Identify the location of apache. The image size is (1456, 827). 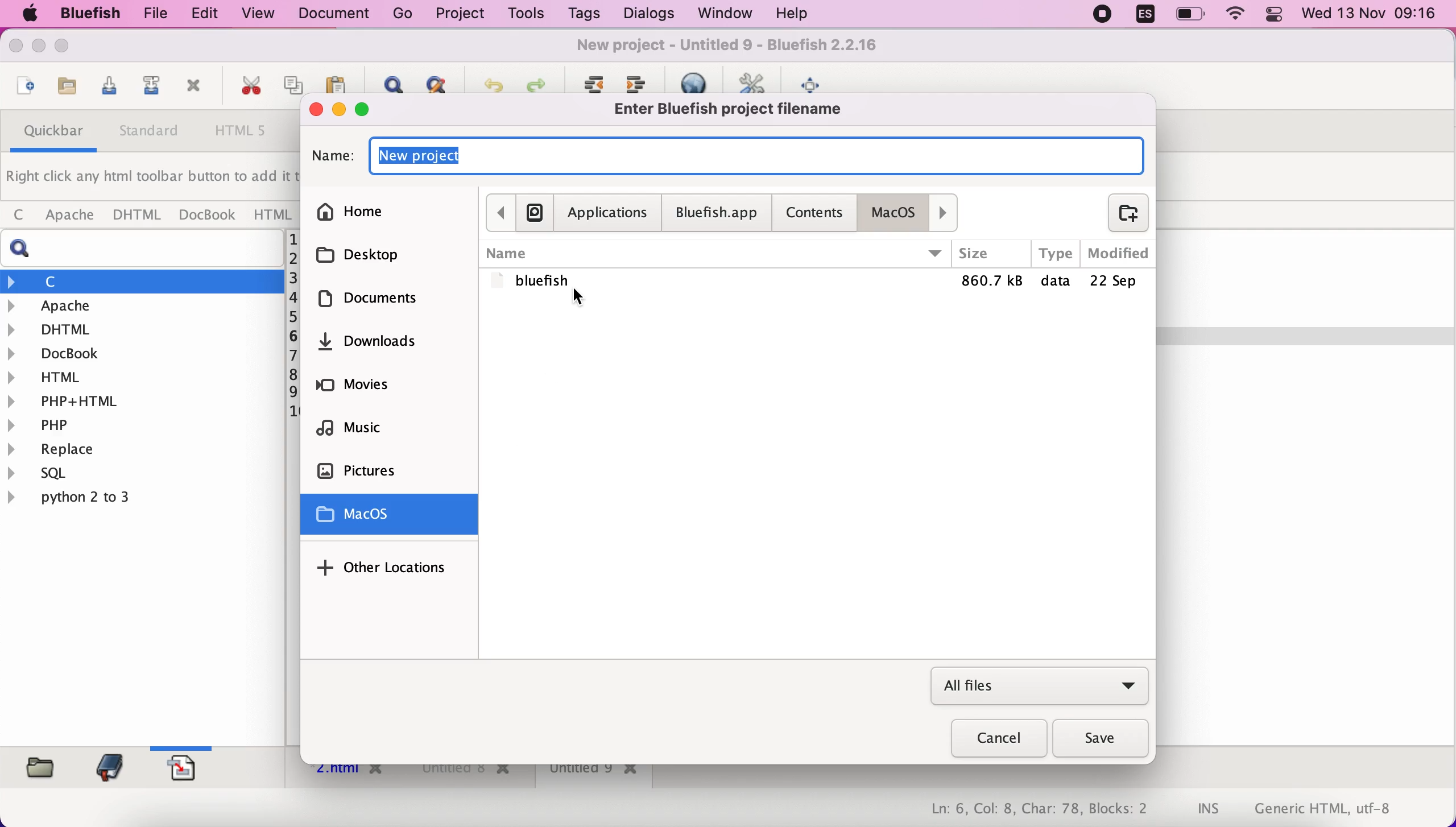
(144, 306).